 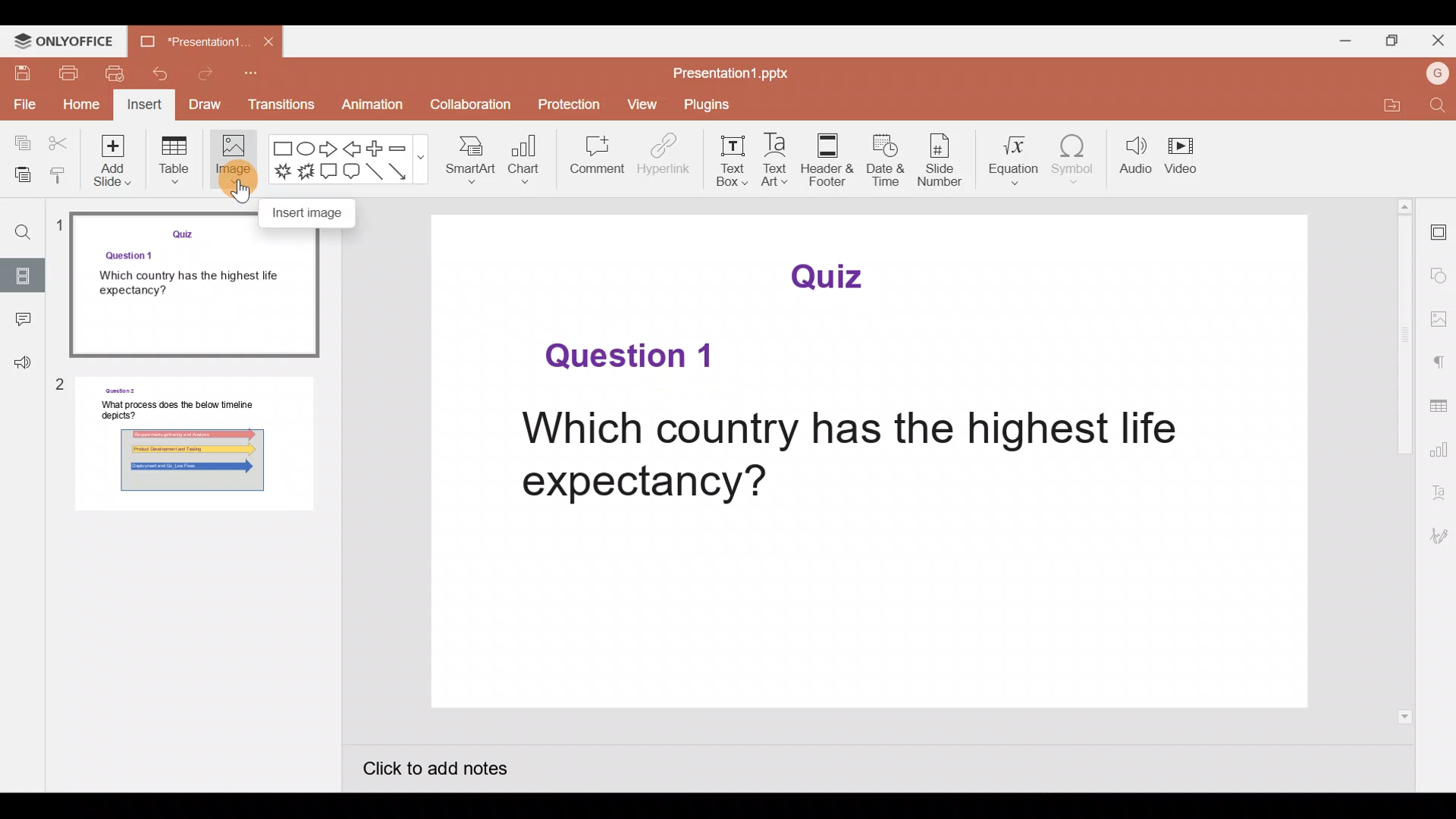 What do you see at coordinates (1439, 494) in the screenshot?
I see `Text Art settings` at bounding box center [1439, 494].